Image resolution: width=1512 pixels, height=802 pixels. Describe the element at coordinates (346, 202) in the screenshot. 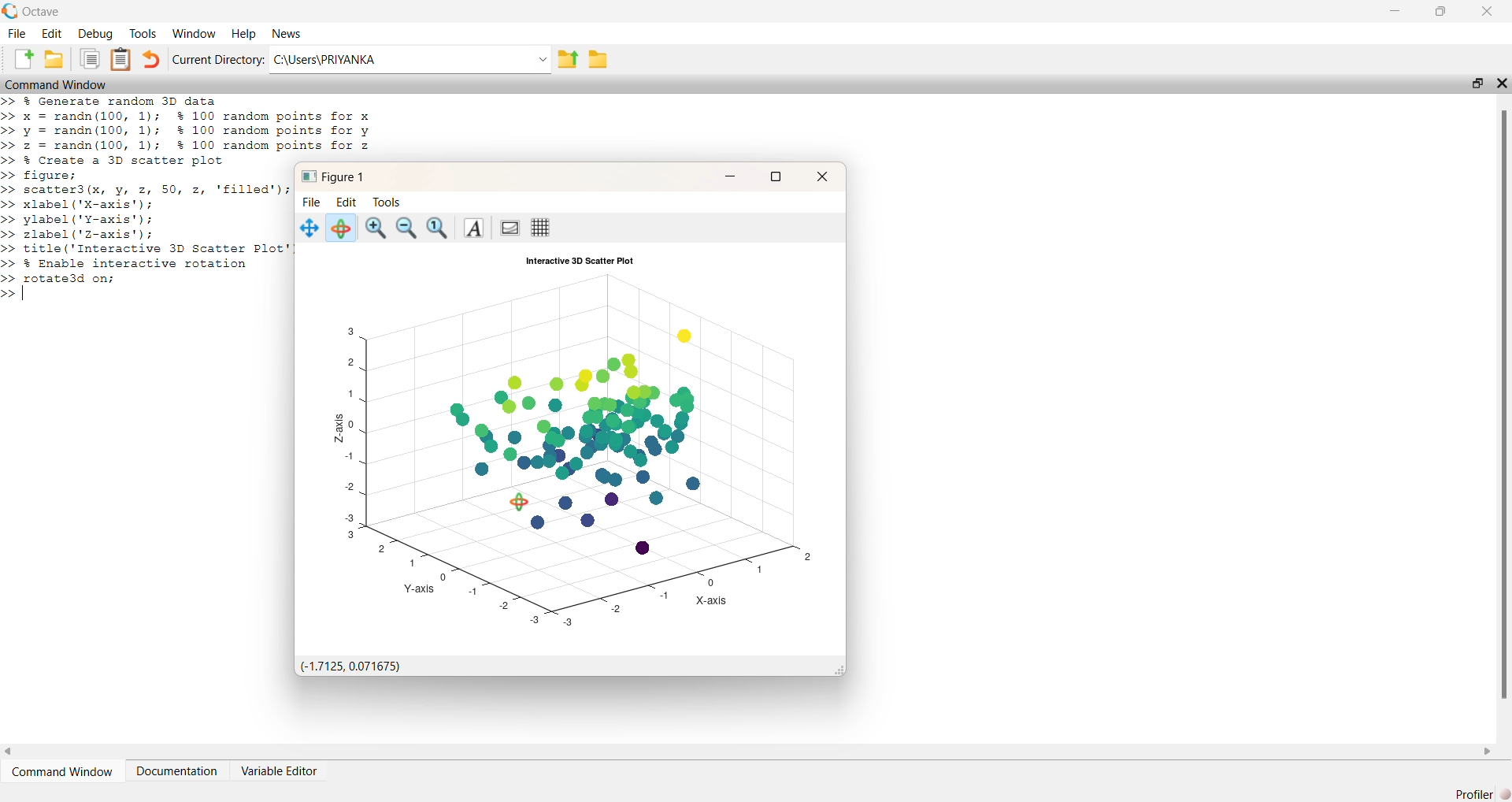

I see `Edit` at that location.